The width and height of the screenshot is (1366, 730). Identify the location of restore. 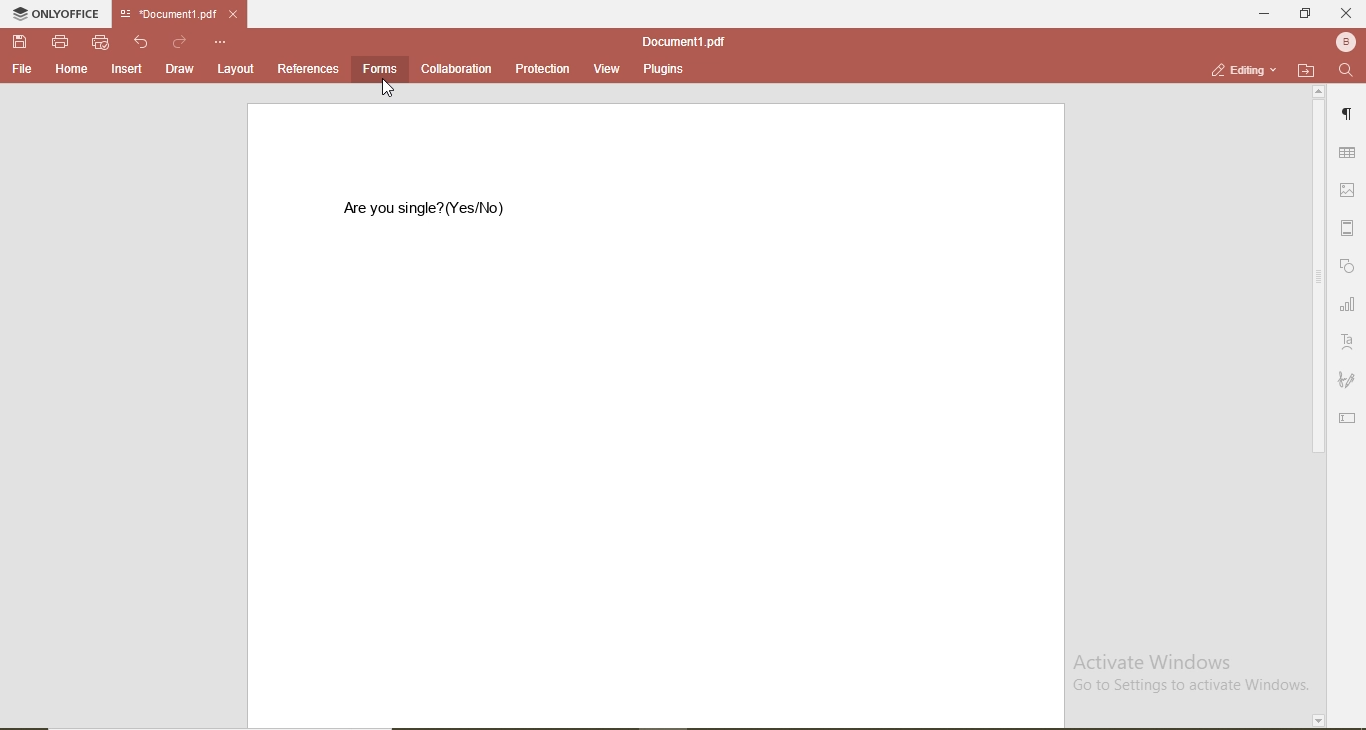
(1308, 16).